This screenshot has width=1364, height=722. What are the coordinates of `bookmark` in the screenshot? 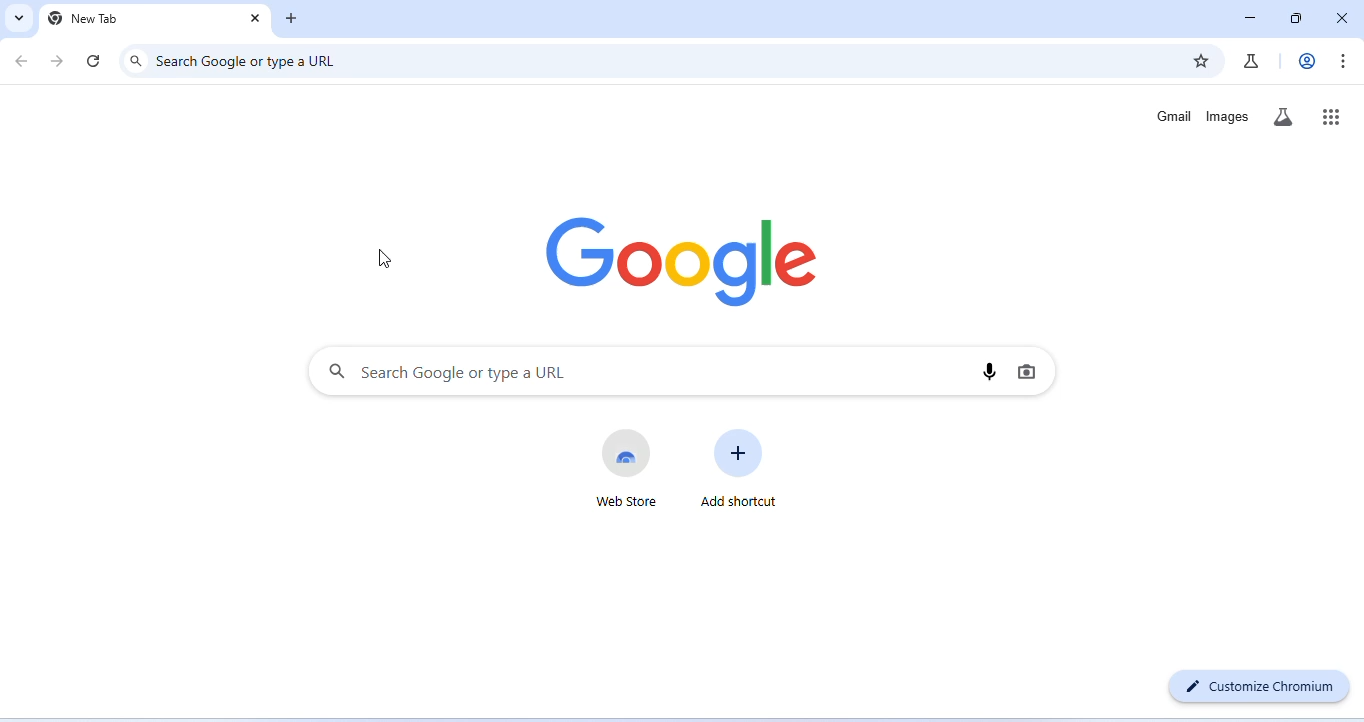 It's located at (1201, 61).